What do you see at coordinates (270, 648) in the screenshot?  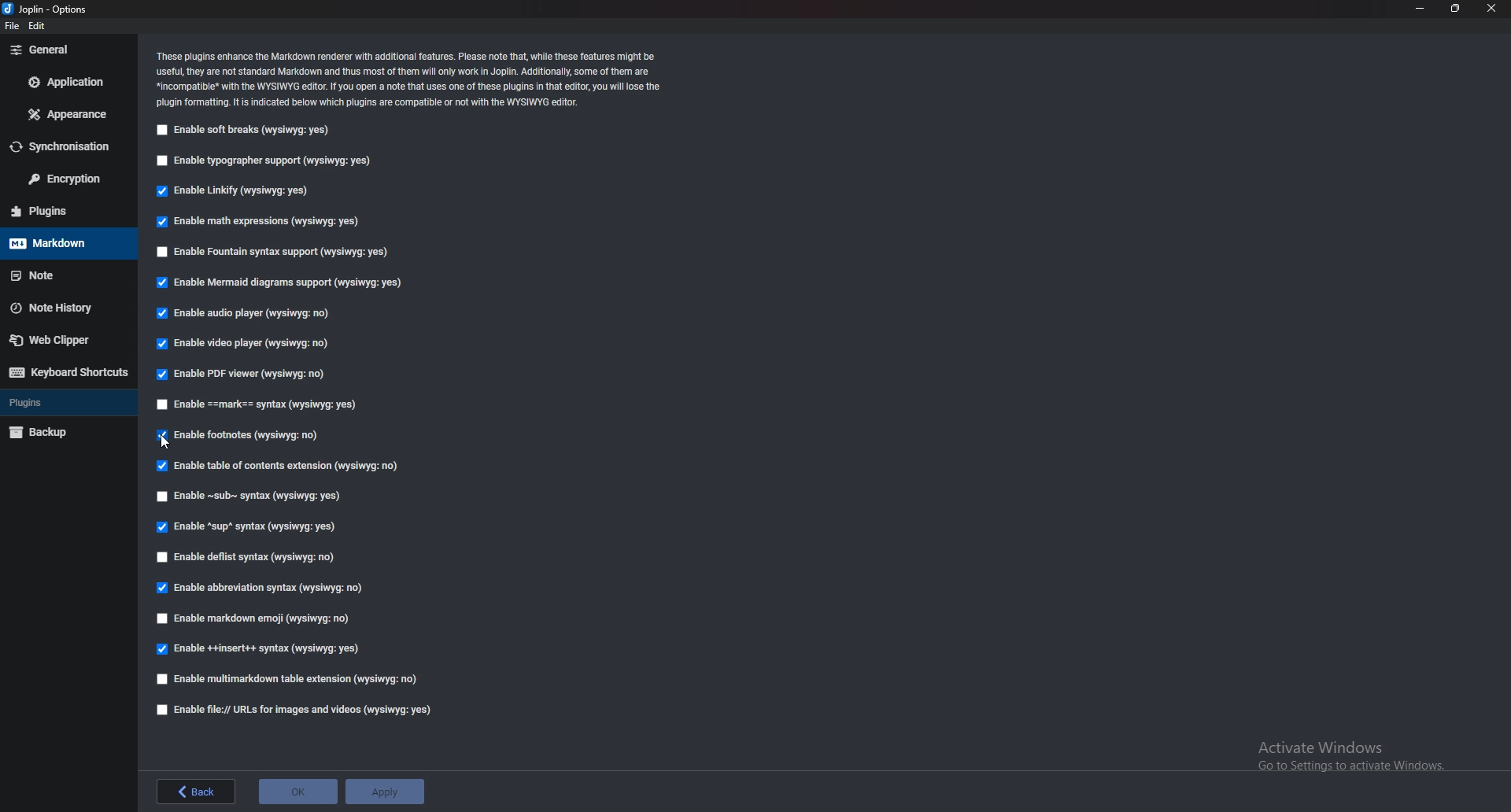 I see `Enable insert syntax` at bounding box center [270, 648].